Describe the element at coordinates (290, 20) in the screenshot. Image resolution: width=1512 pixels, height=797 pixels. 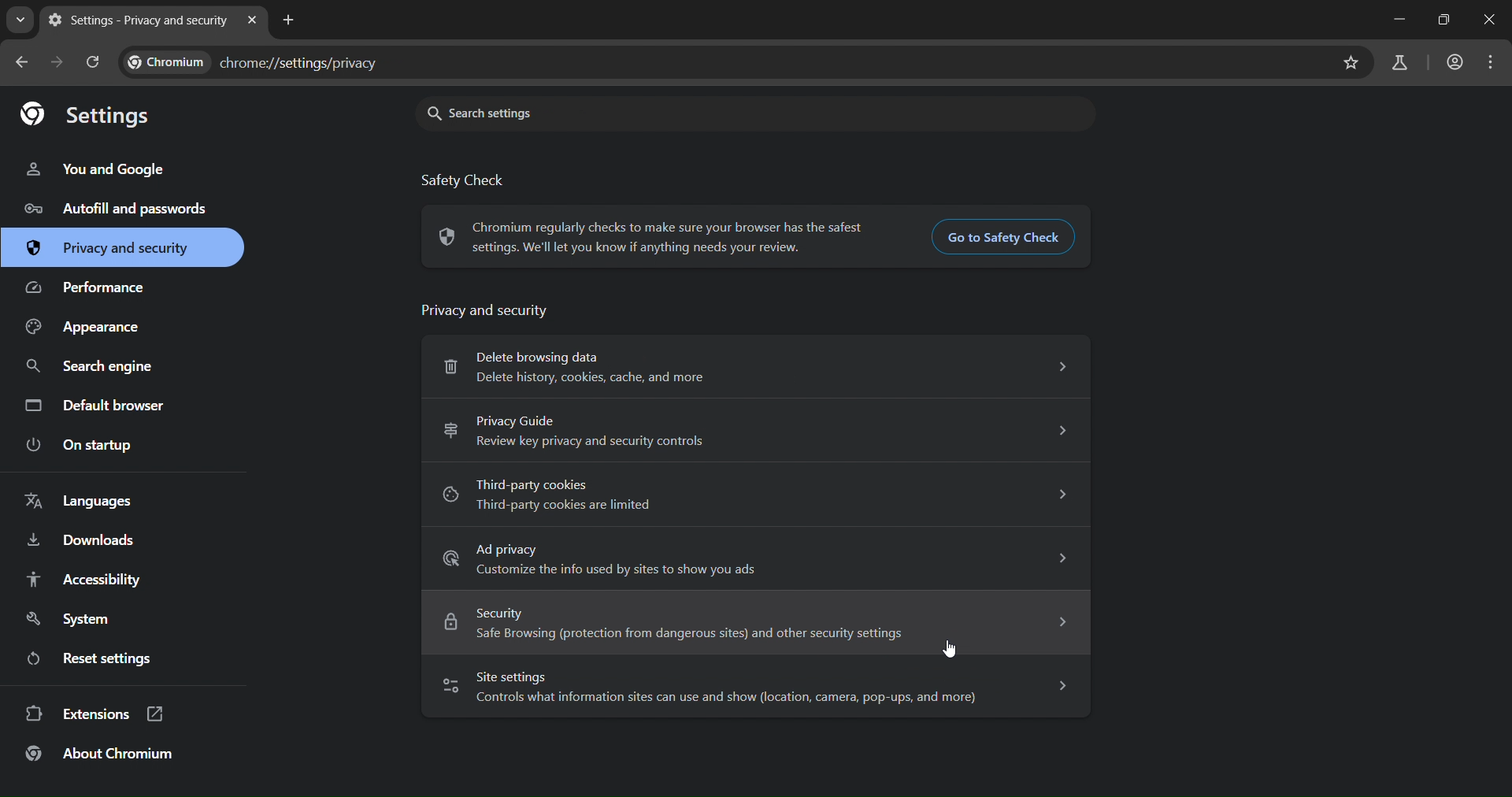
I see `new tab` at that location.